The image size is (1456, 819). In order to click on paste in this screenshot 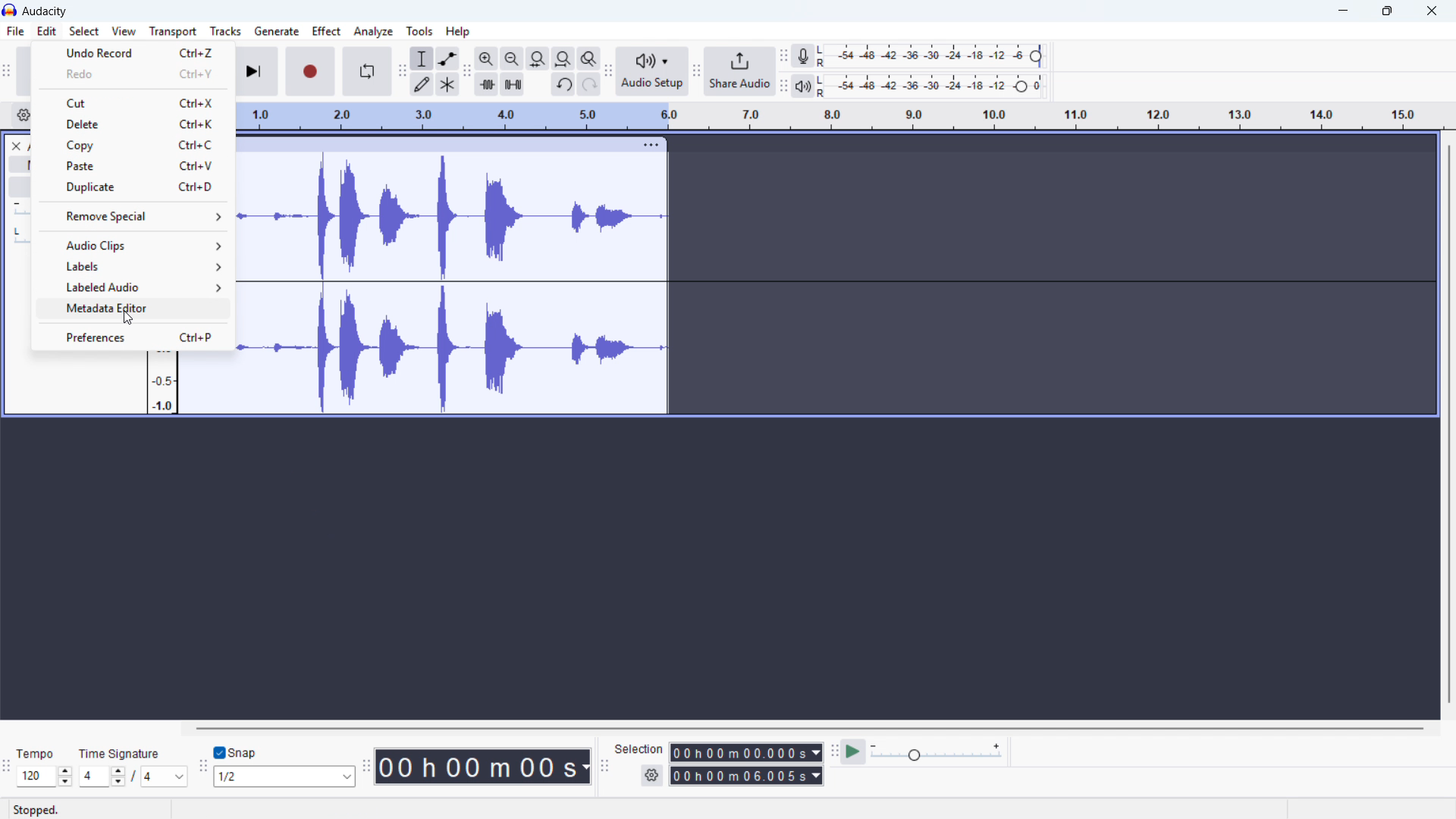, I will do `click(132, 167)`.